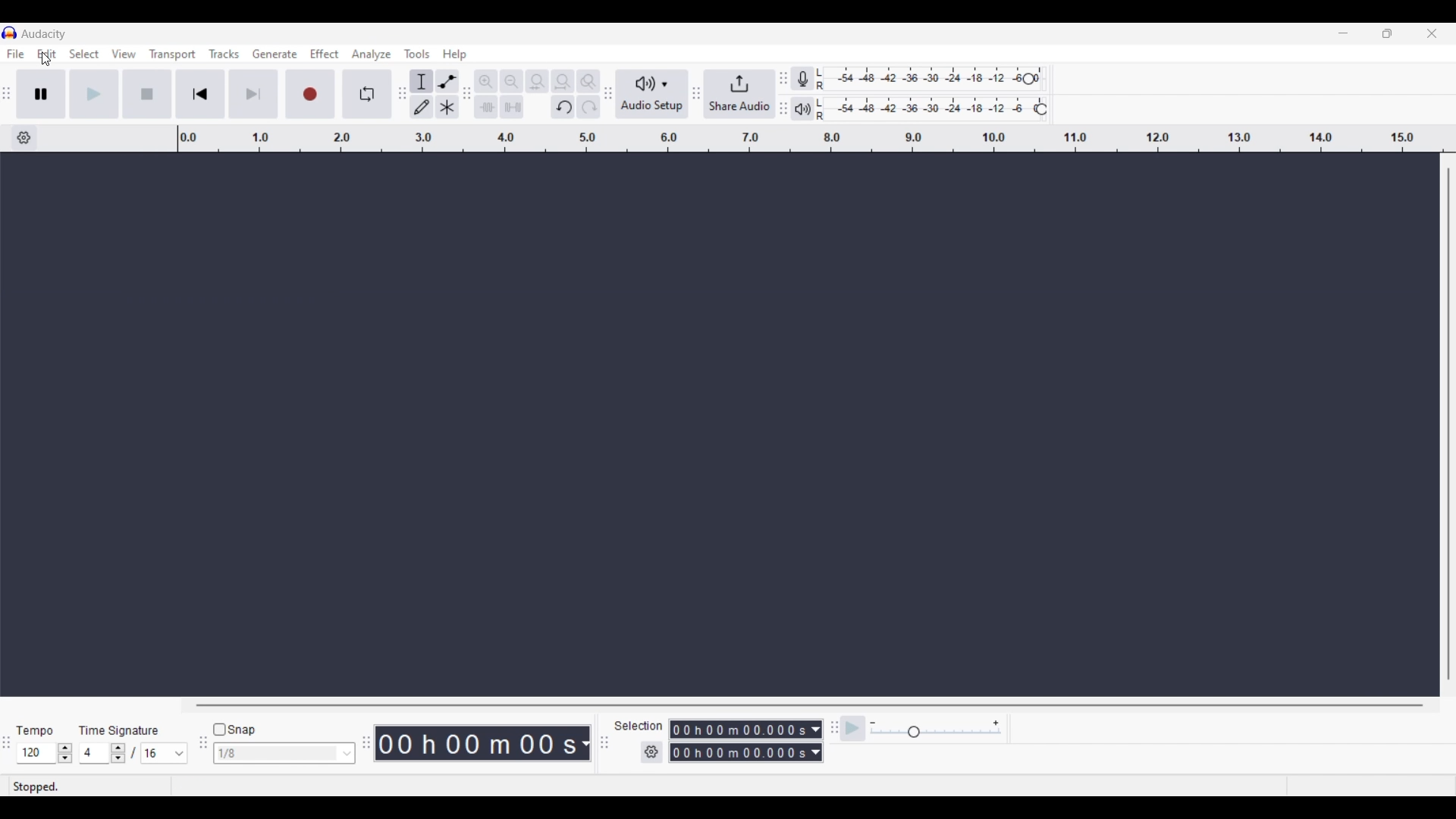 The image size is (1456, 819). Describe the element at coordinates (118, 753) in the screenshot. I see `Increase/Decrease time signature` at that location.